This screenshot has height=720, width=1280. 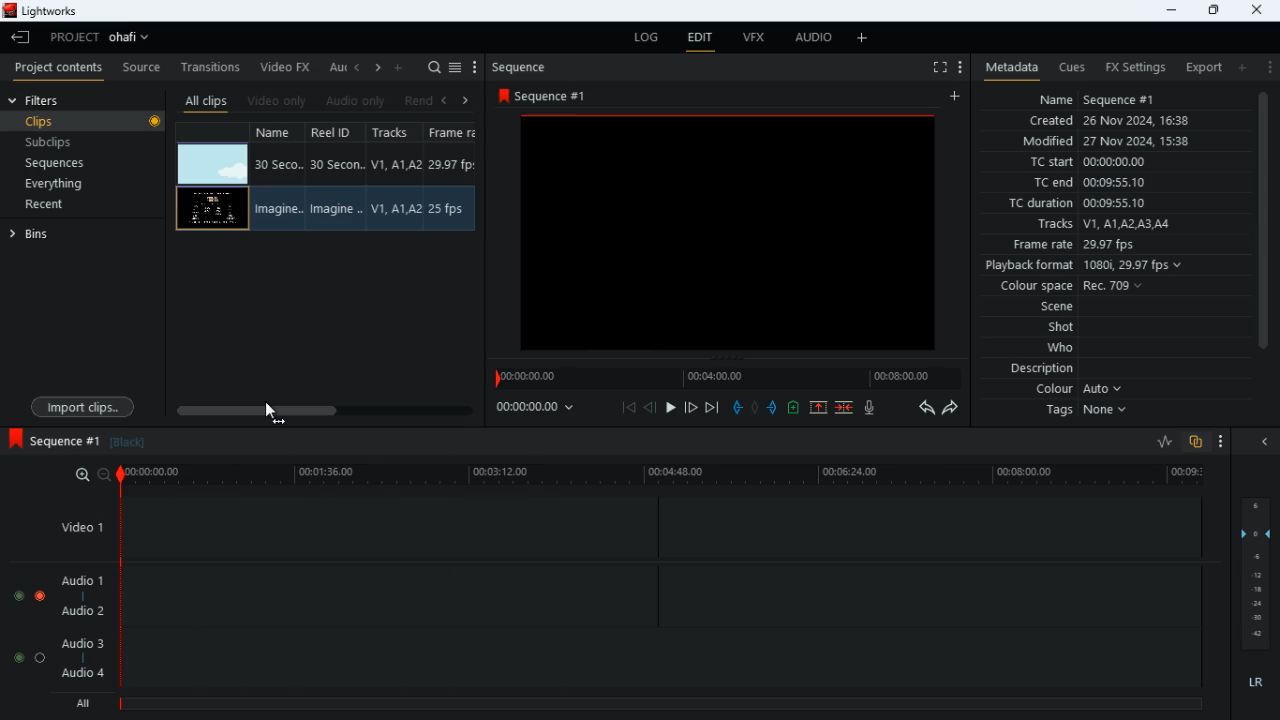 I want to click on pull, so click(x=738, y=407).